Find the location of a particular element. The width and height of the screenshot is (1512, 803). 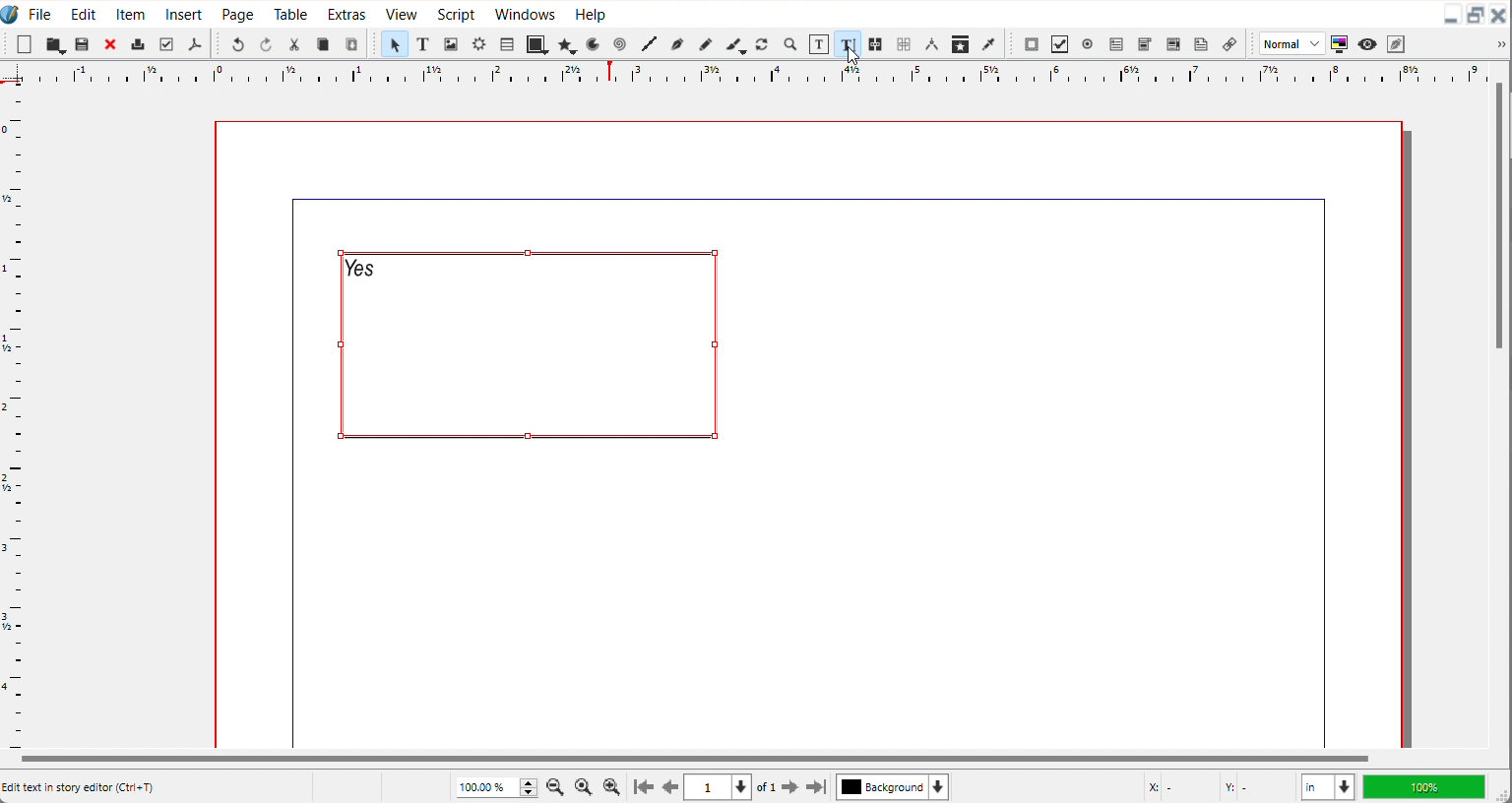

Freehand line is located at coordinates (704, 43).